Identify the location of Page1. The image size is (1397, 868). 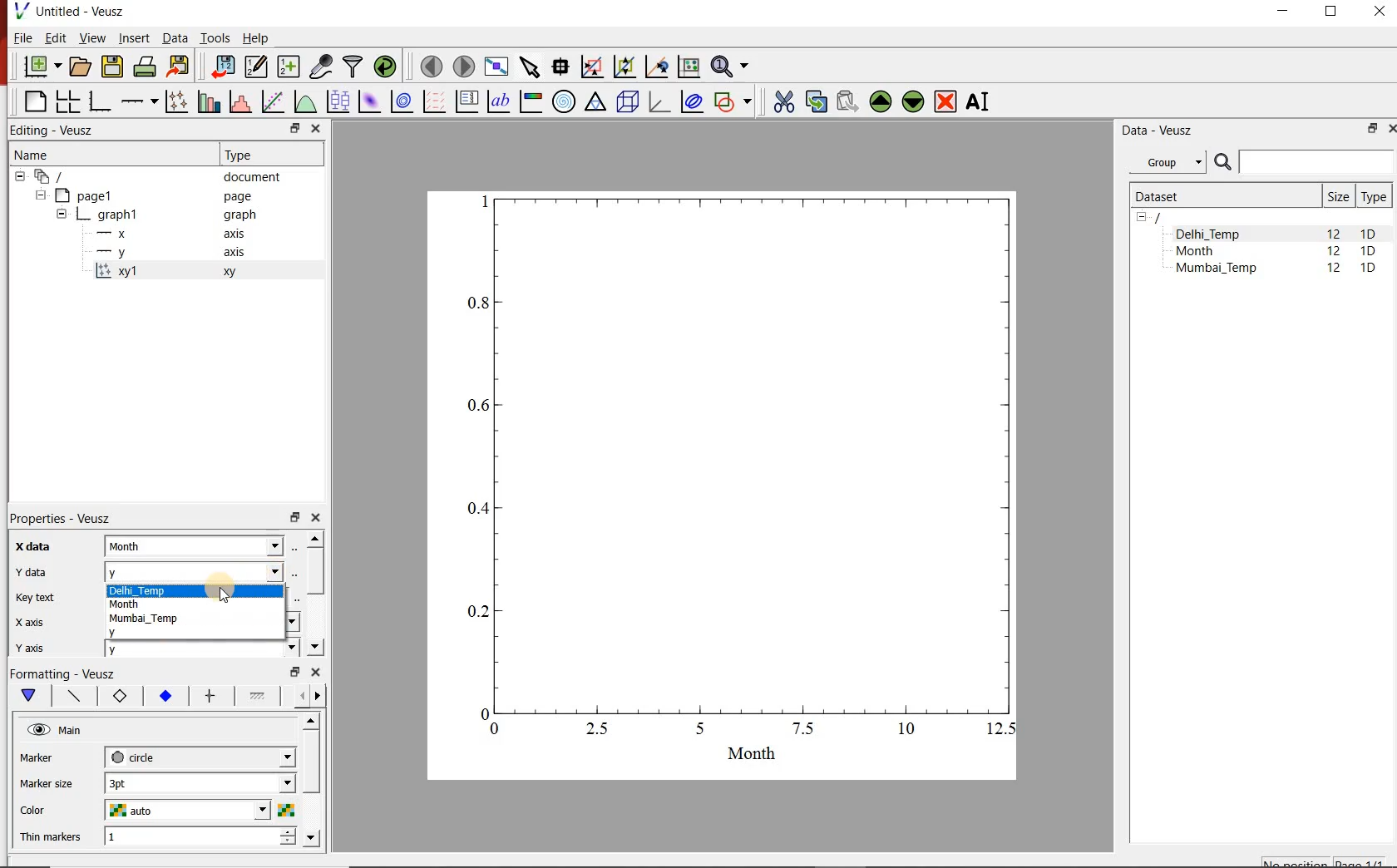
(145, 195).